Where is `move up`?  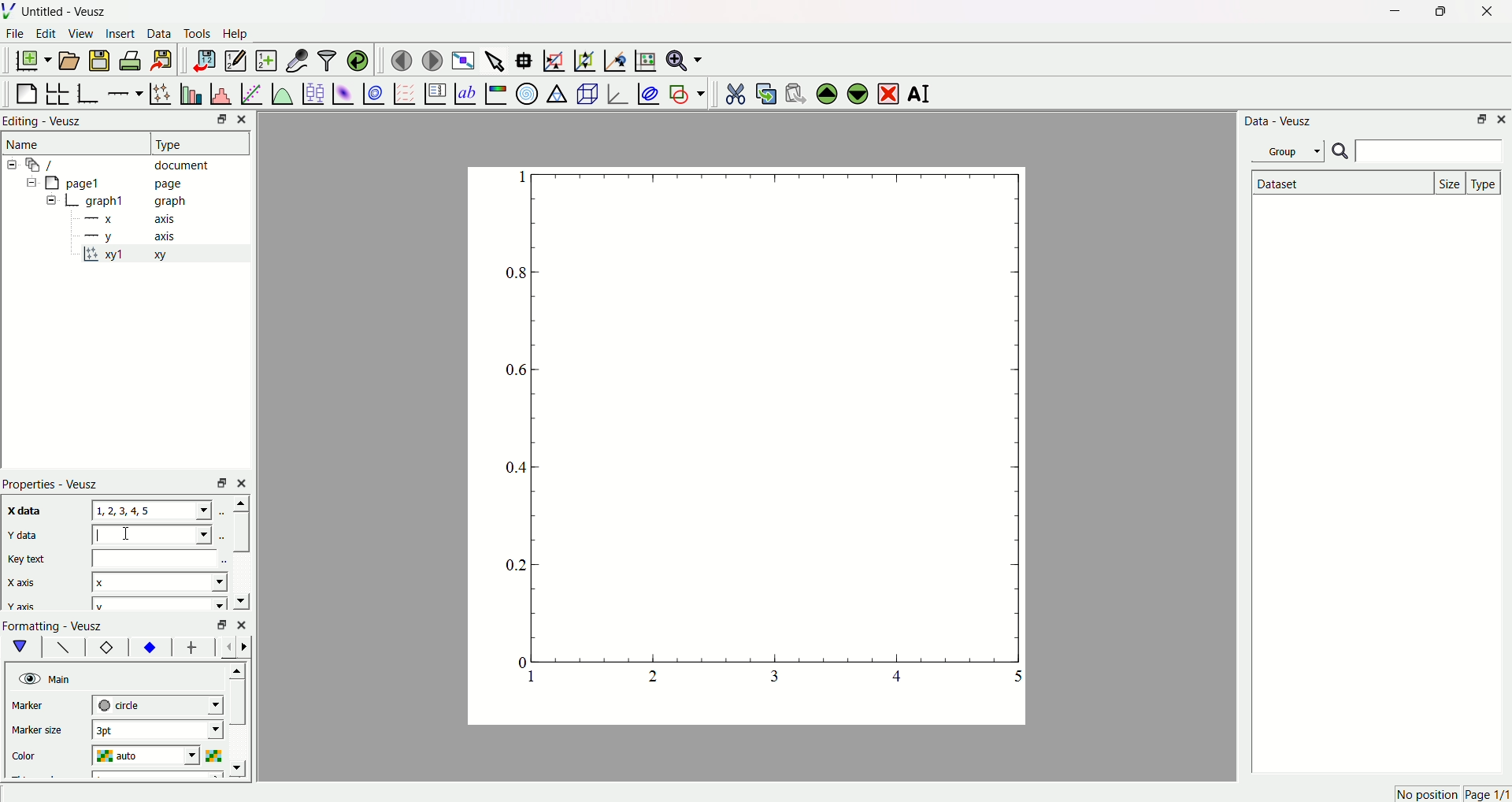
move up is located at coordinates (239, 668).